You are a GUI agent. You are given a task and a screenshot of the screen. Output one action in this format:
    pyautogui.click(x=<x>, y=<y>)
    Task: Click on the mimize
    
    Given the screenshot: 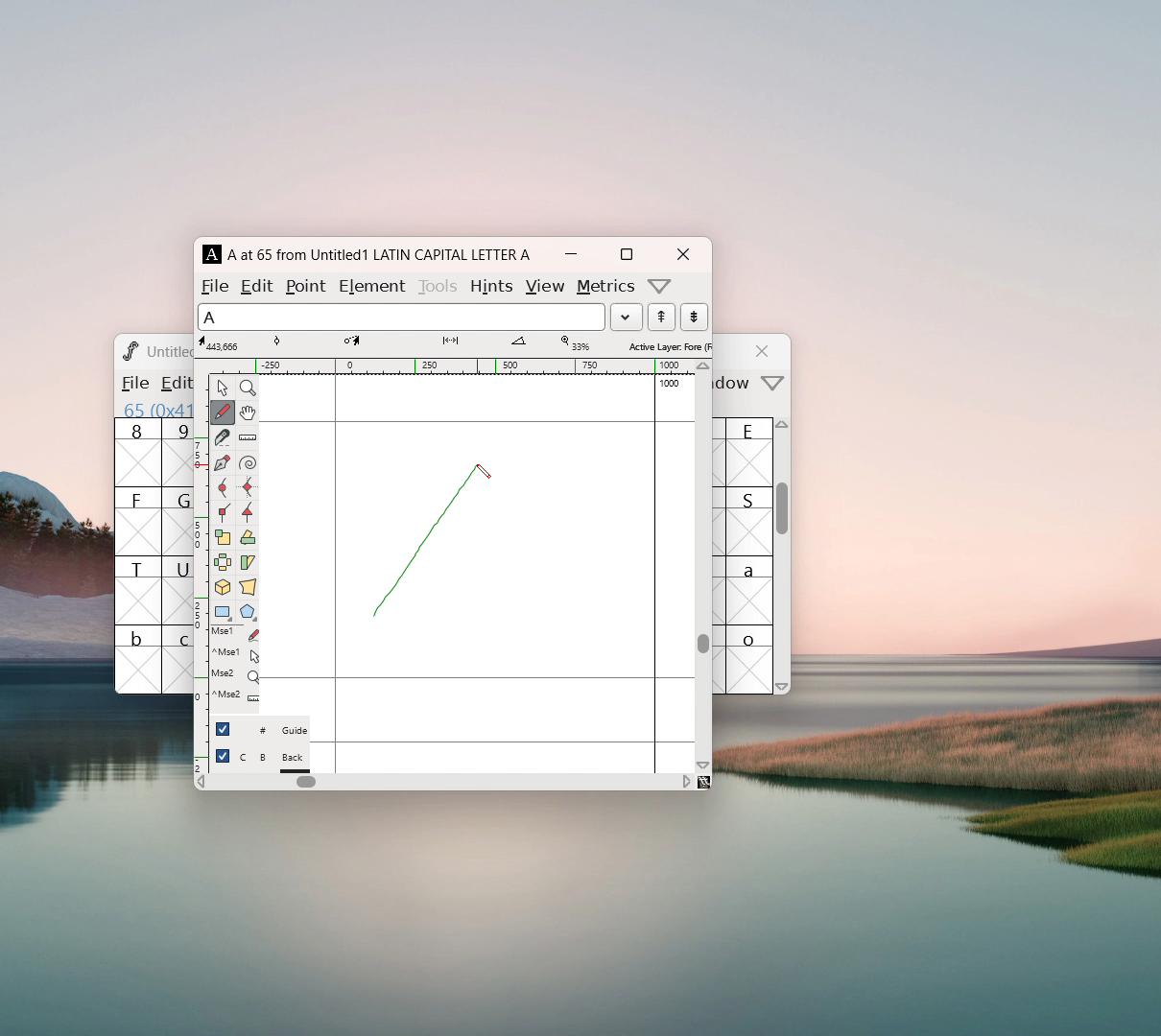 What is the action you would take?
    pyautogui.click(x=571, y=254)
    